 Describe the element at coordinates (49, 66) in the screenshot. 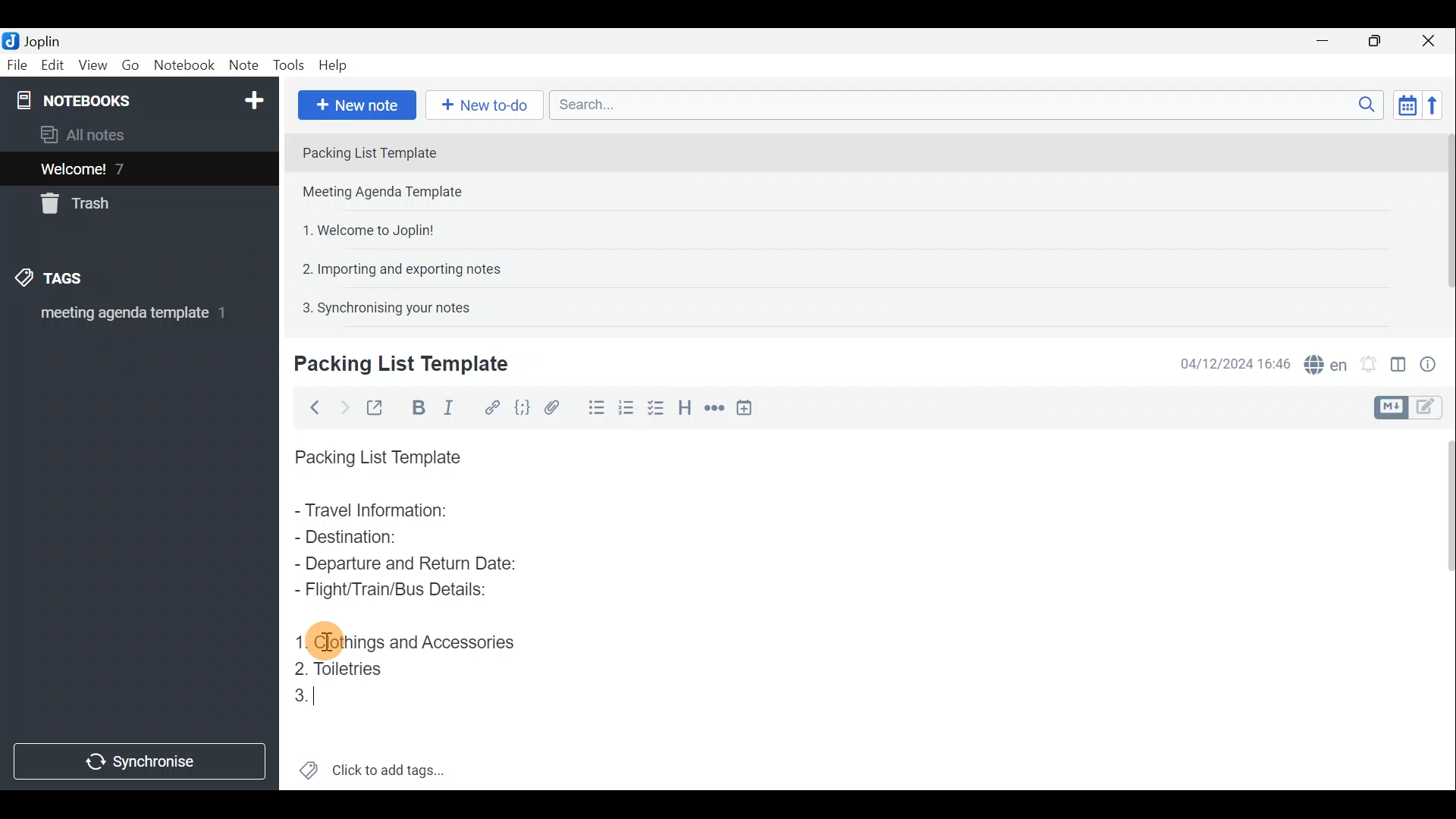

I see `Edit` at that location.